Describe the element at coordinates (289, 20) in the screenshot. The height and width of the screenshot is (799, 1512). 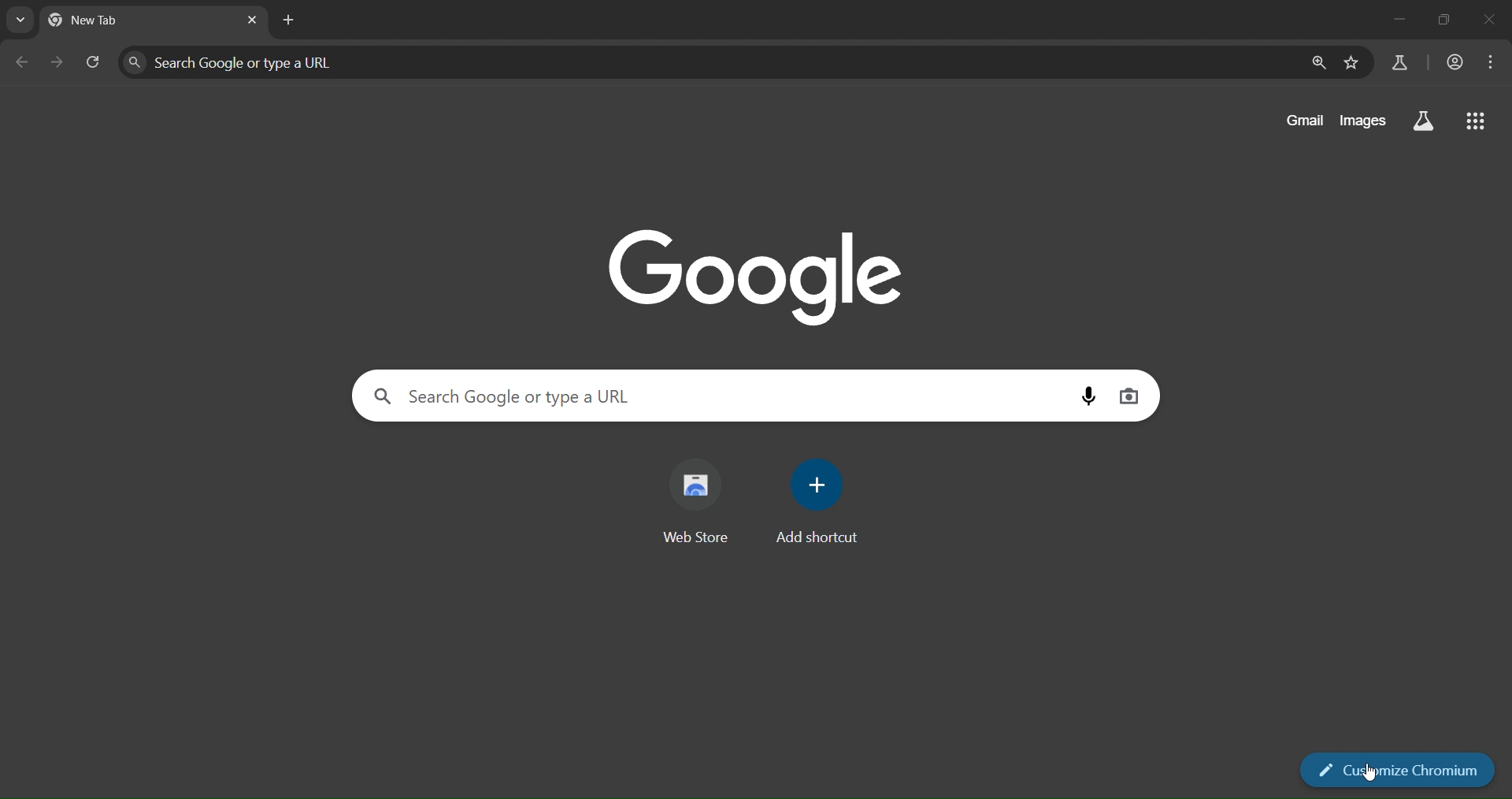
I see `new tab` at that location.